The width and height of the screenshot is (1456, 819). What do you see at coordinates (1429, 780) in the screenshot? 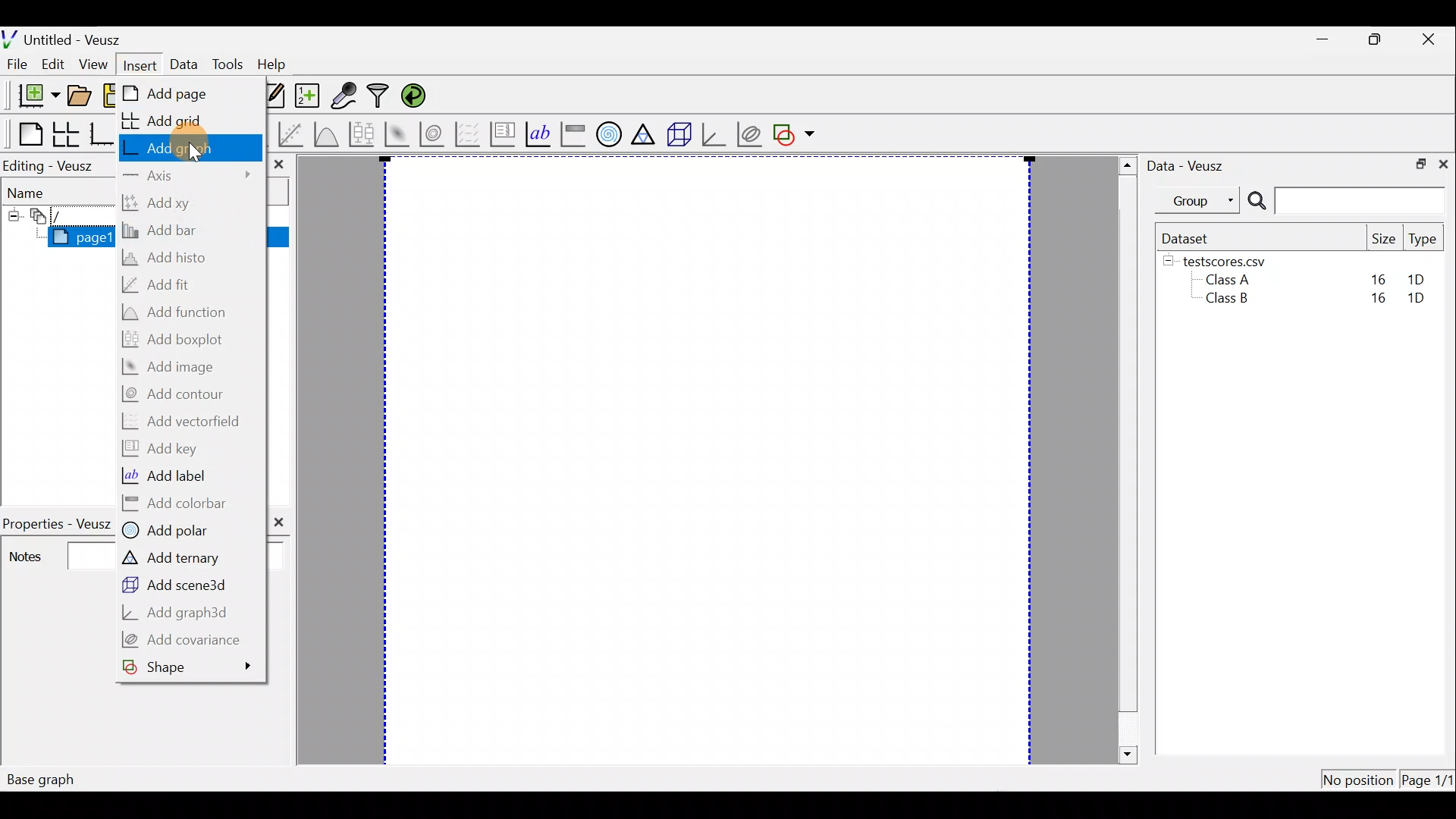
I see `Page 1/1` at bounding box center [1429, 780].